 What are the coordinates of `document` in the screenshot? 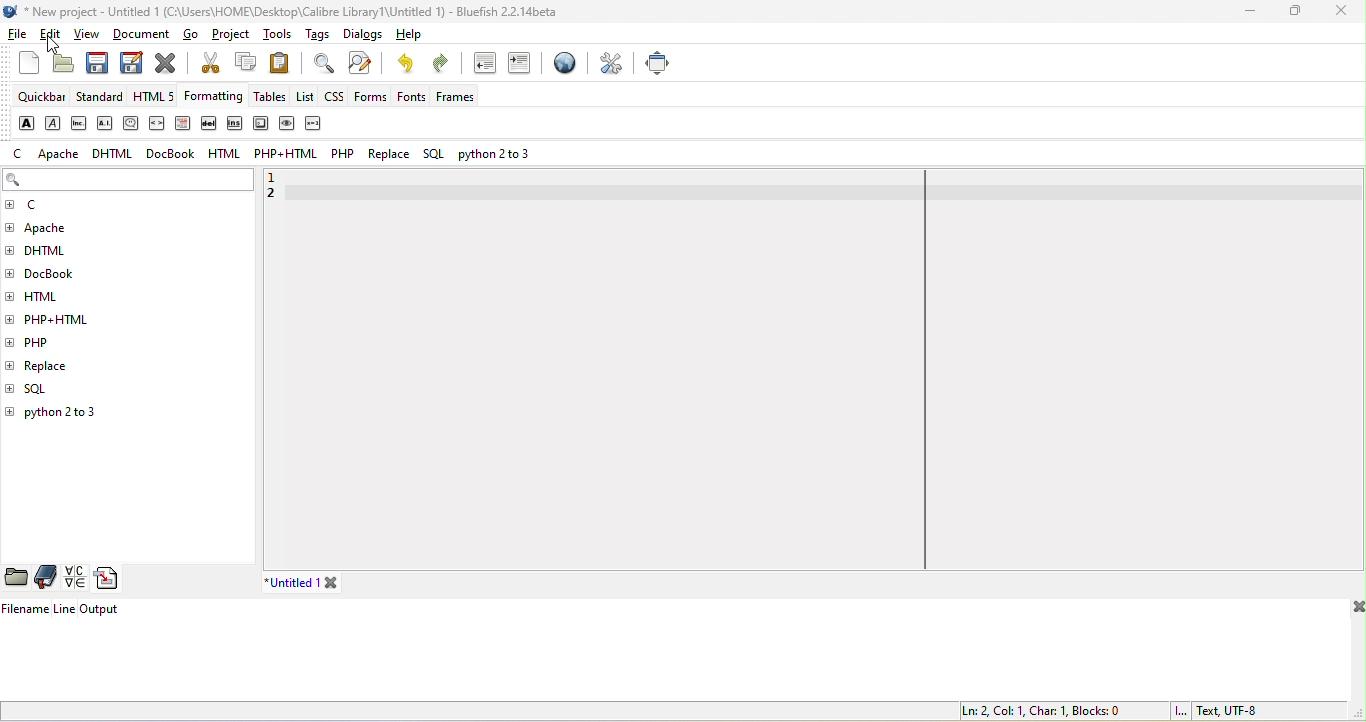 It's located at (144, 35).